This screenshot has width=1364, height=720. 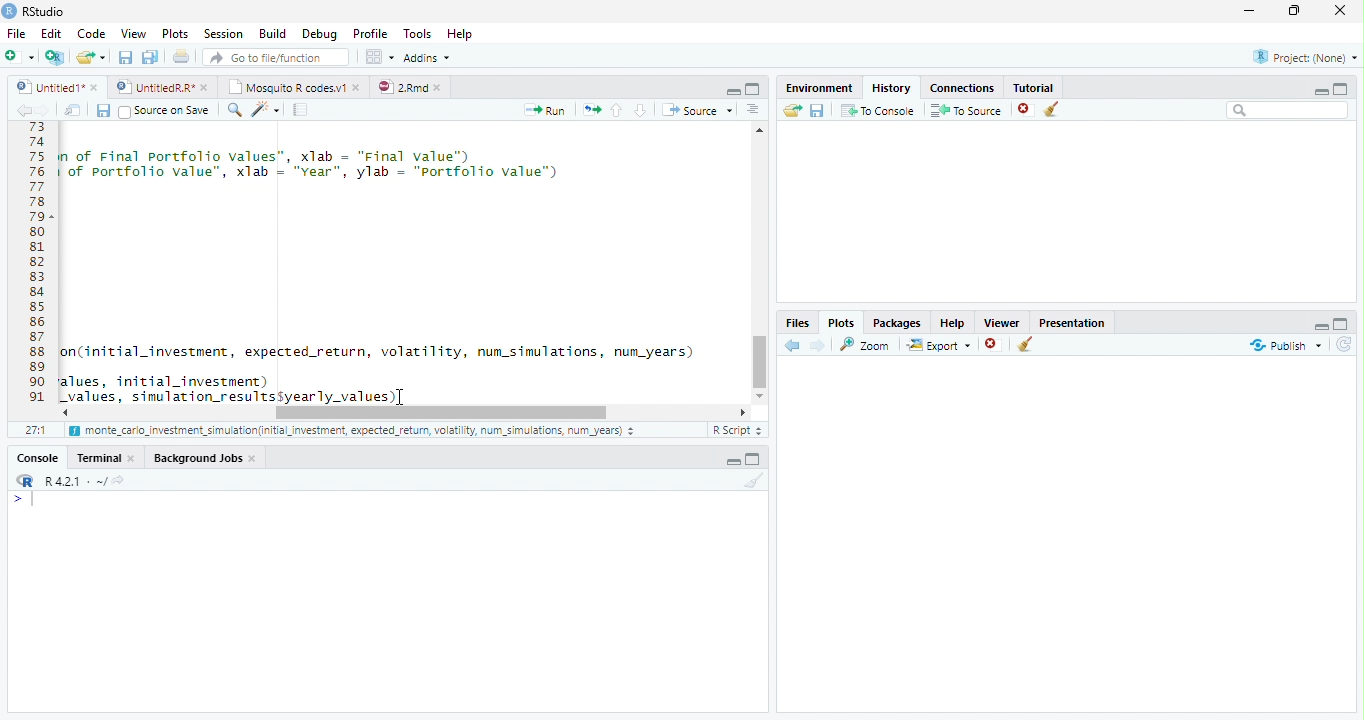 What do you see at coordinates (462, 35) in the screenshot?
I see `Help` at bounding box center [462, 35].